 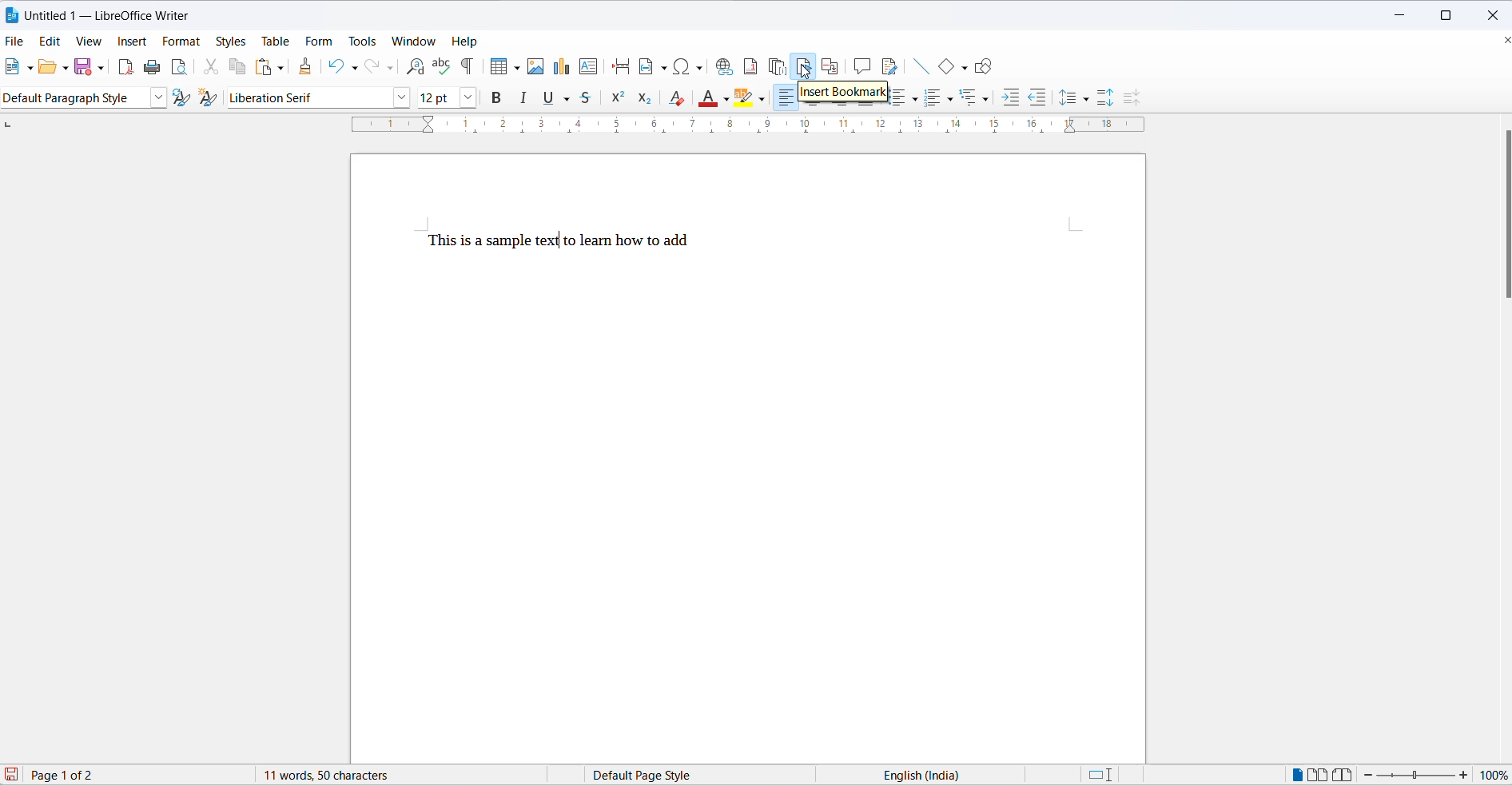 What do you see at coordinates (1492, 13) in the screenshot?
I see `close` at bounding box center [1492, 13].